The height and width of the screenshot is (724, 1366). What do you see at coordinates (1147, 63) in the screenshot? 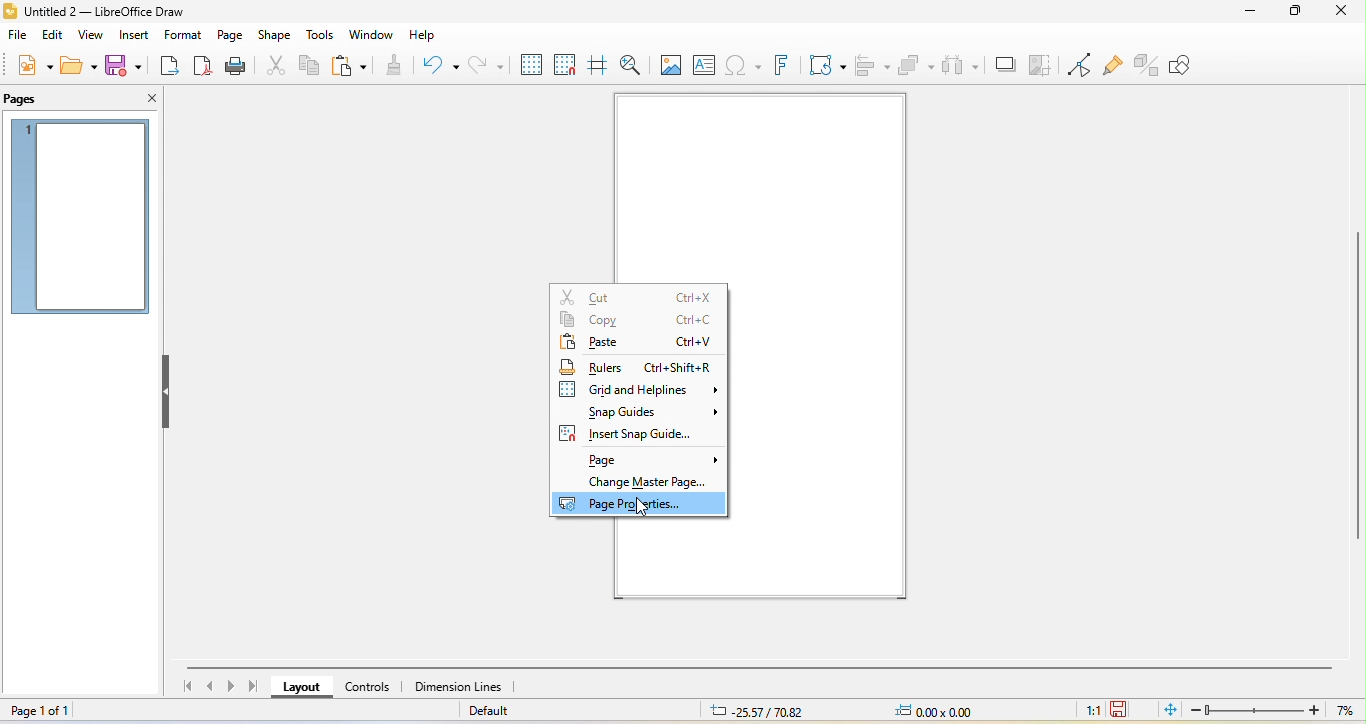
I see `toggle extrusion` at bounding box center [1147, 63].